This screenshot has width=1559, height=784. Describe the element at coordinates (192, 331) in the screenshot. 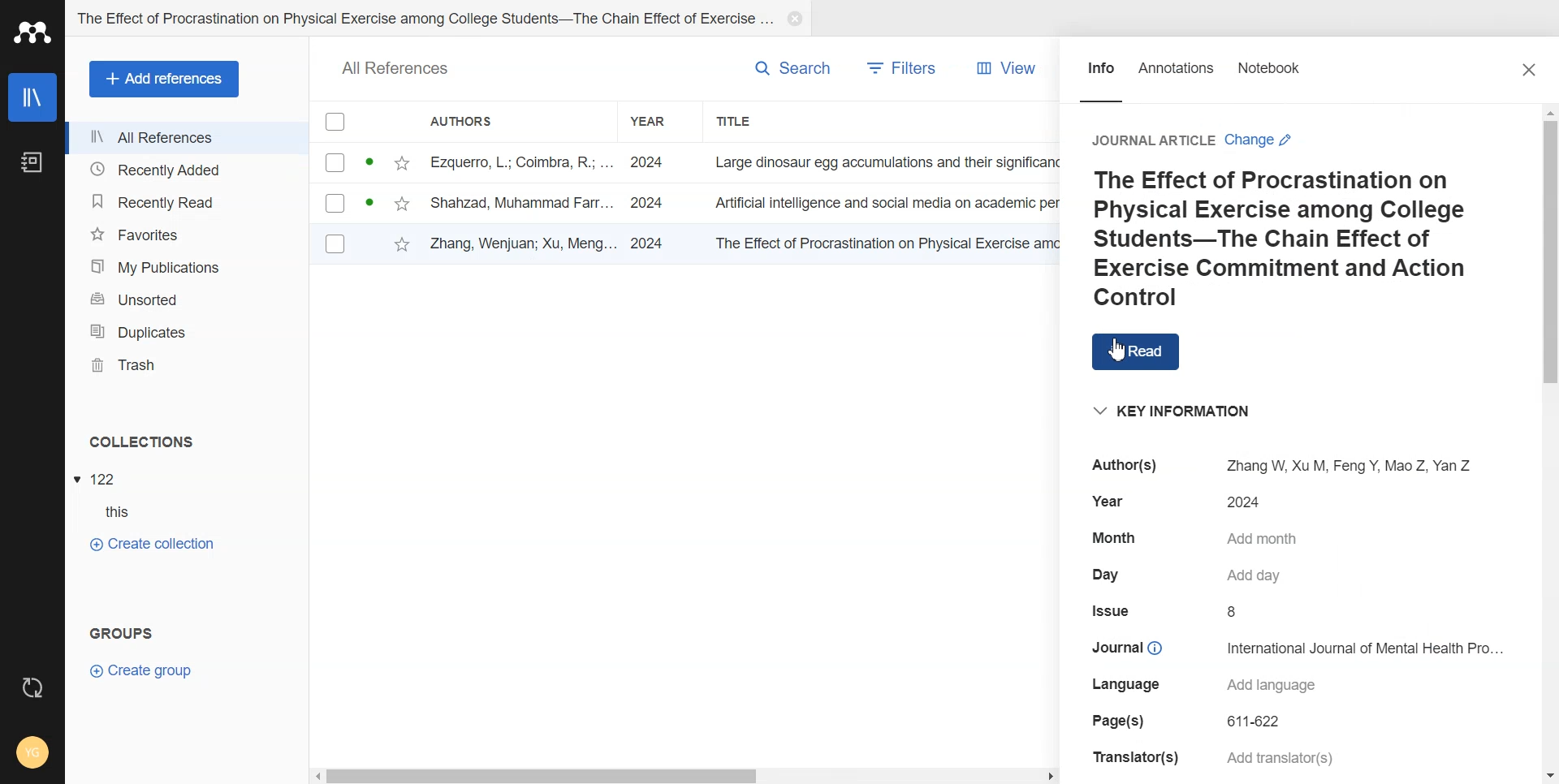

I see `Duplicates` at that location.